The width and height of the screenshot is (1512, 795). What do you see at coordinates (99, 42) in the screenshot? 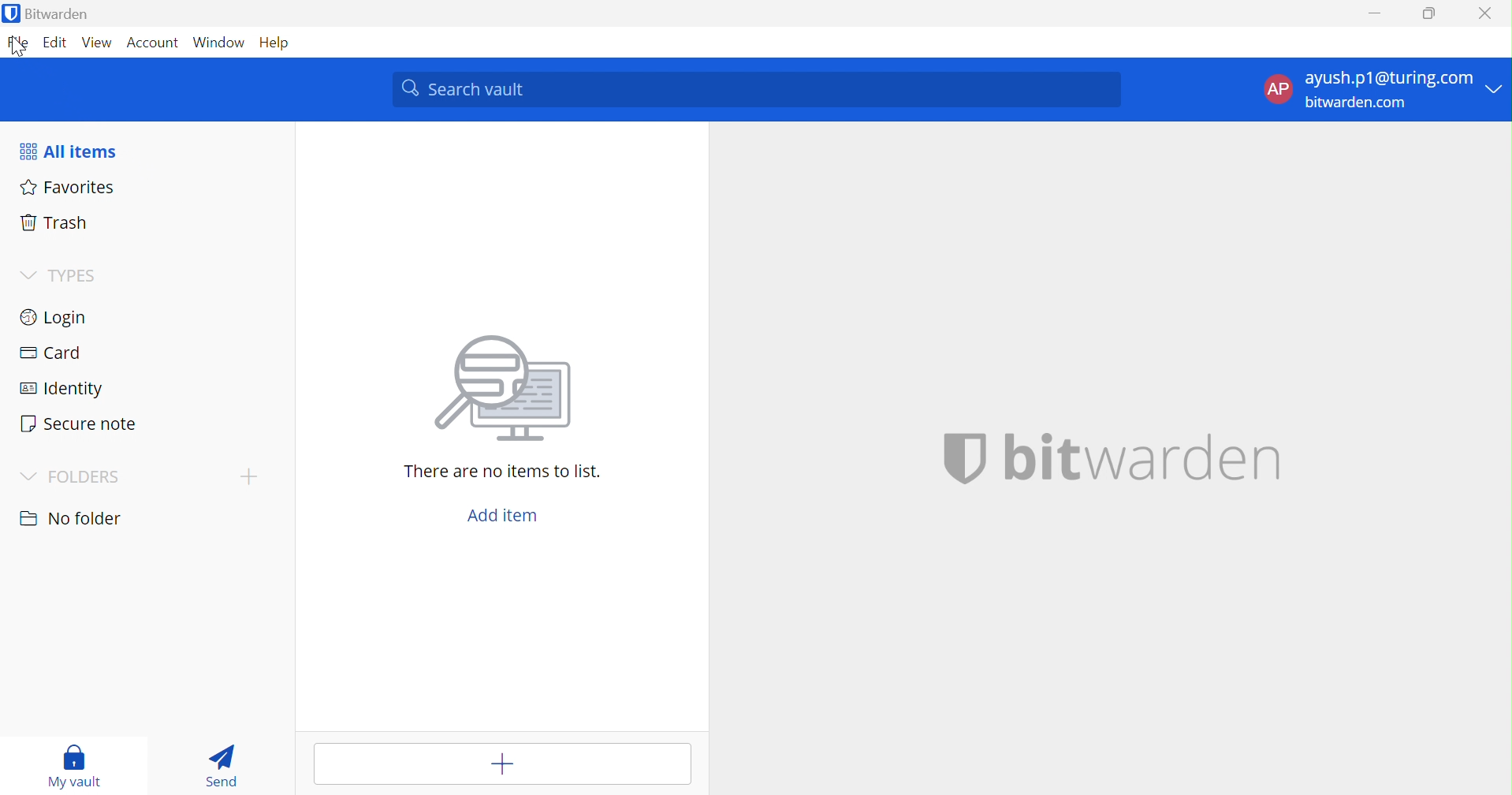
I see `View` at bounding box center [99, 42].